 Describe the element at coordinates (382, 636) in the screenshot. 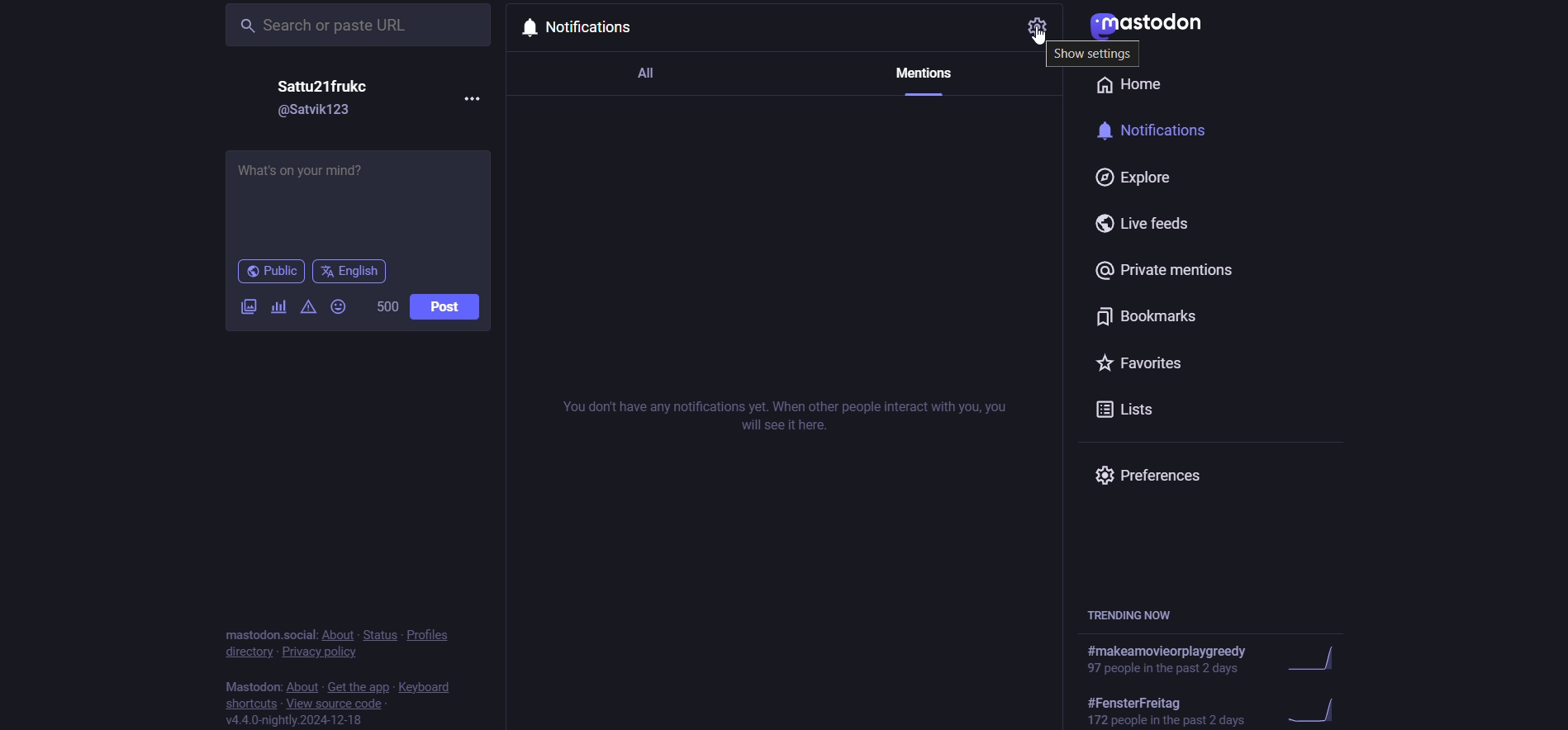

I see `status` at that location.